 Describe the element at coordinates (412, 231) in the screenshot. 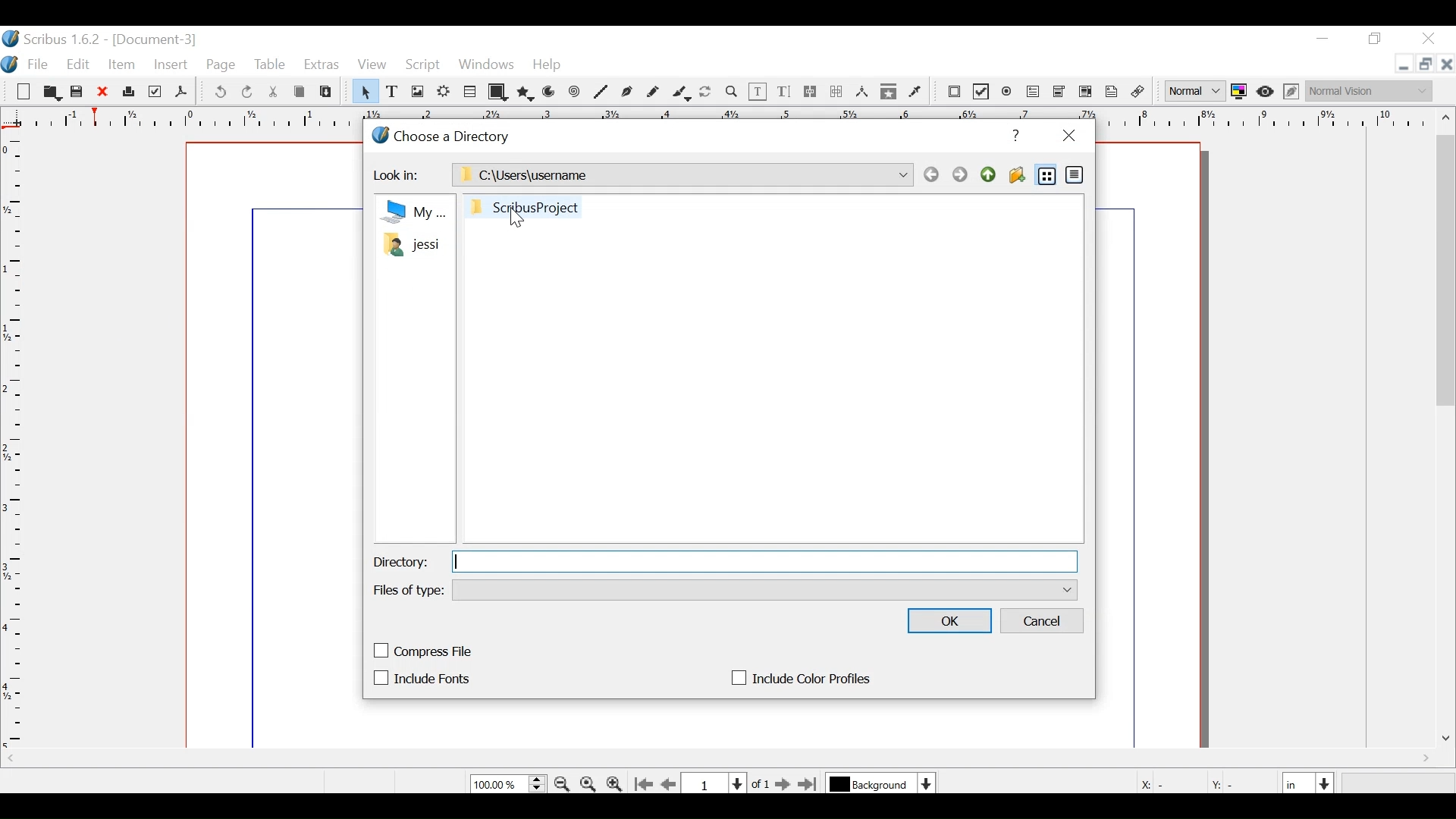

I see `Files` at that location.